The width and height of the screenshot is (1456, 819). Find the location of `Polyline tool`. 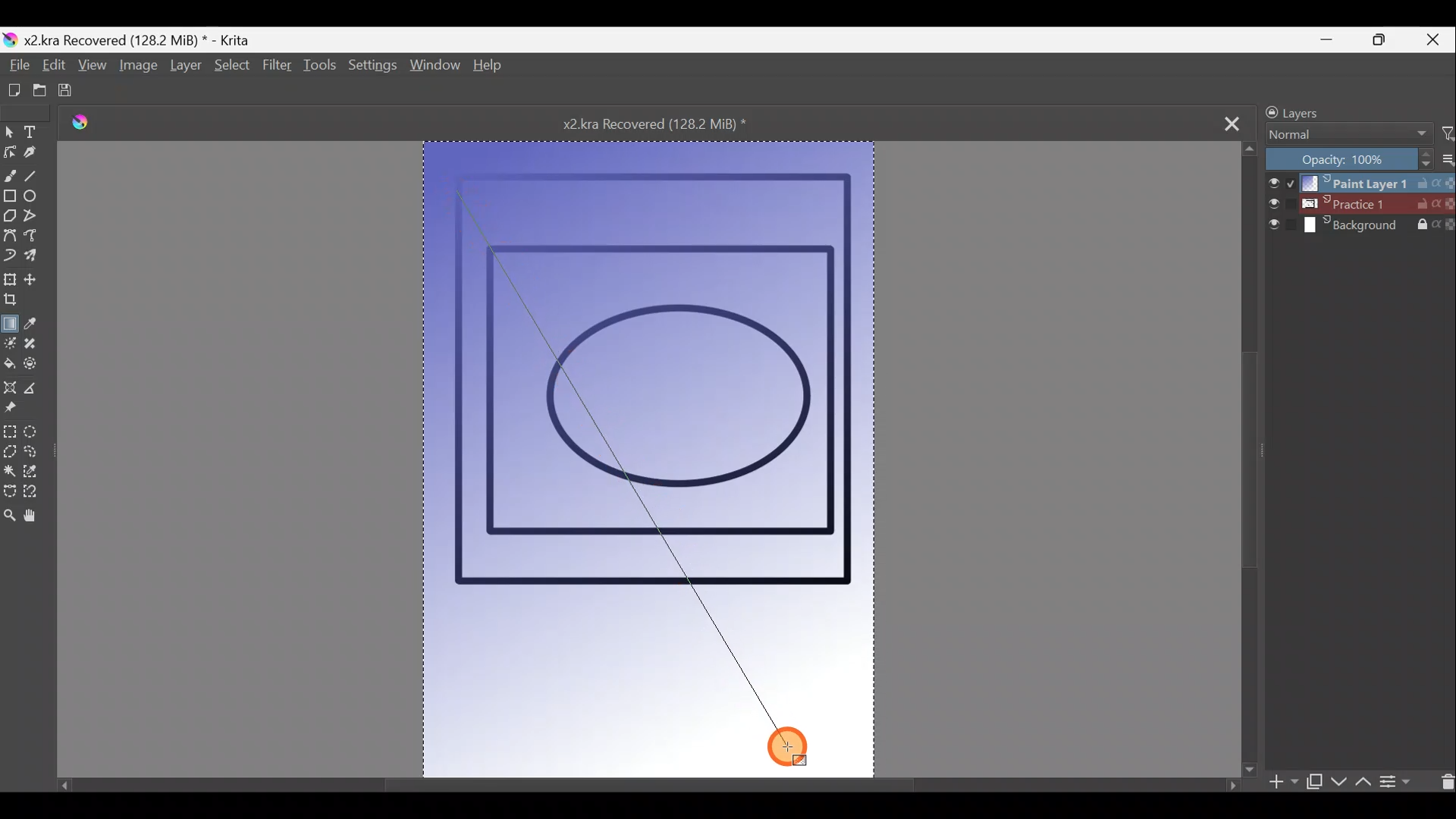

Polyline tool is located at coordinates (37, 218).